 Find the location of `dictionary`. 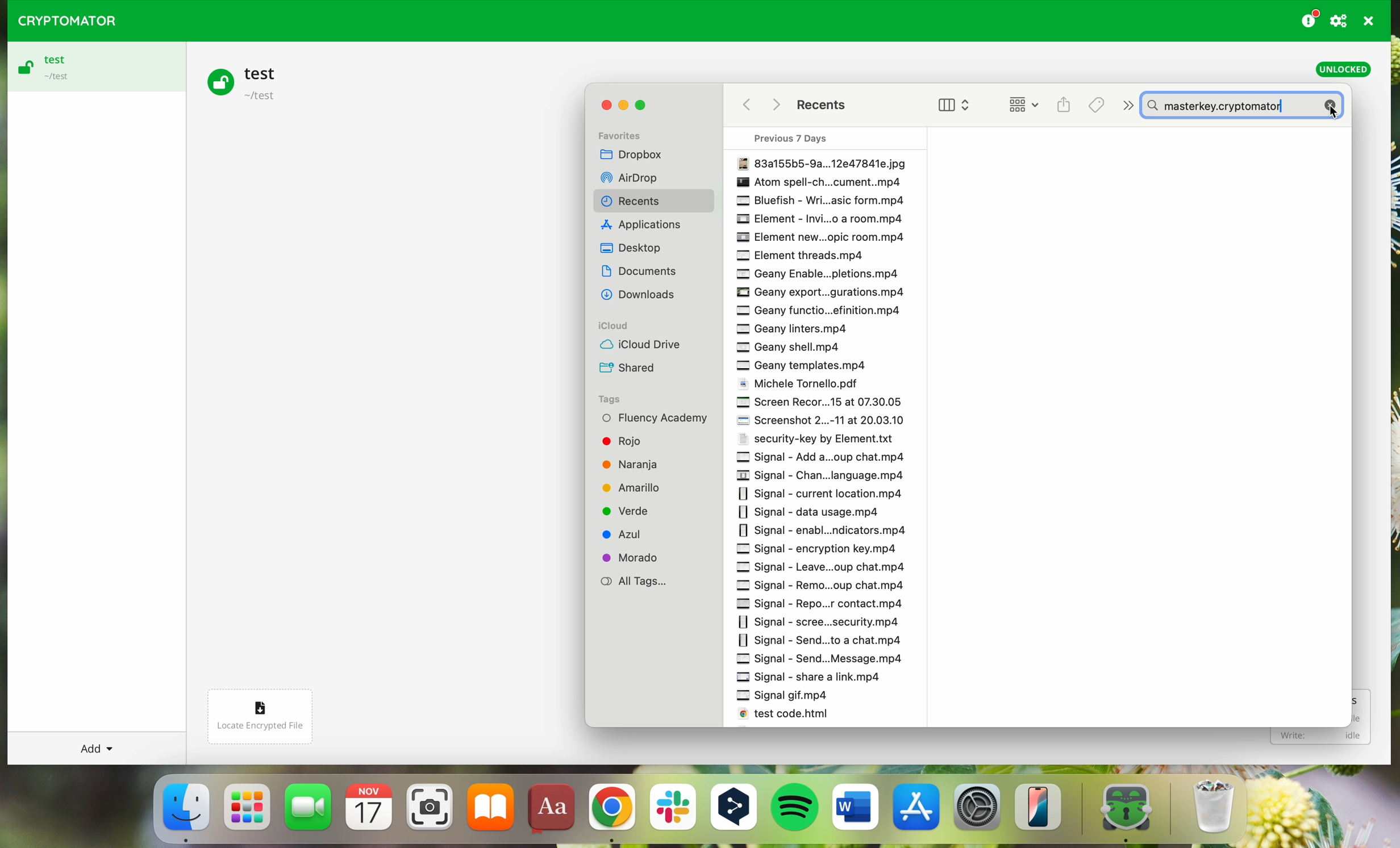

dictionary is located at coordinates (552, 809).